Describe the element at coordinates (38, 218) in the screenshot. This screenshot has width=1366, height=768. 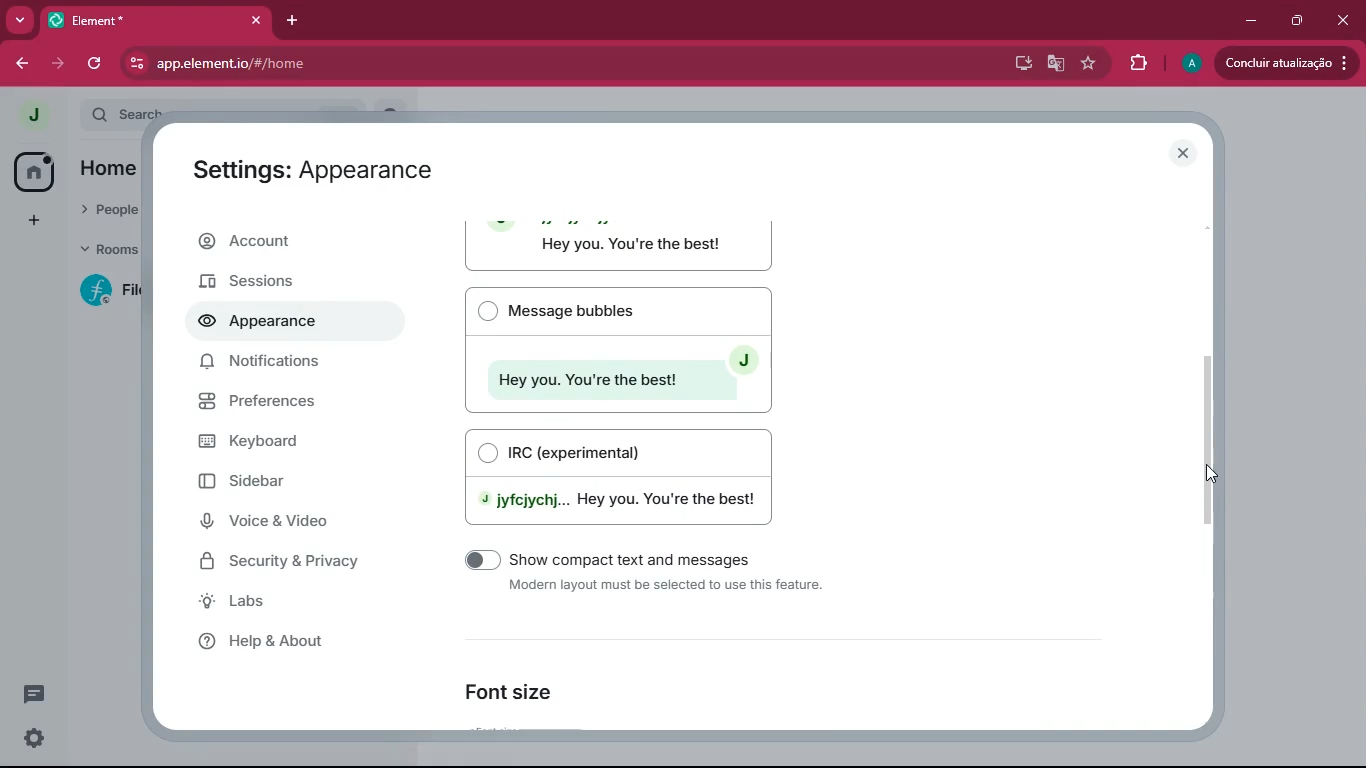
I see `add` at that location.